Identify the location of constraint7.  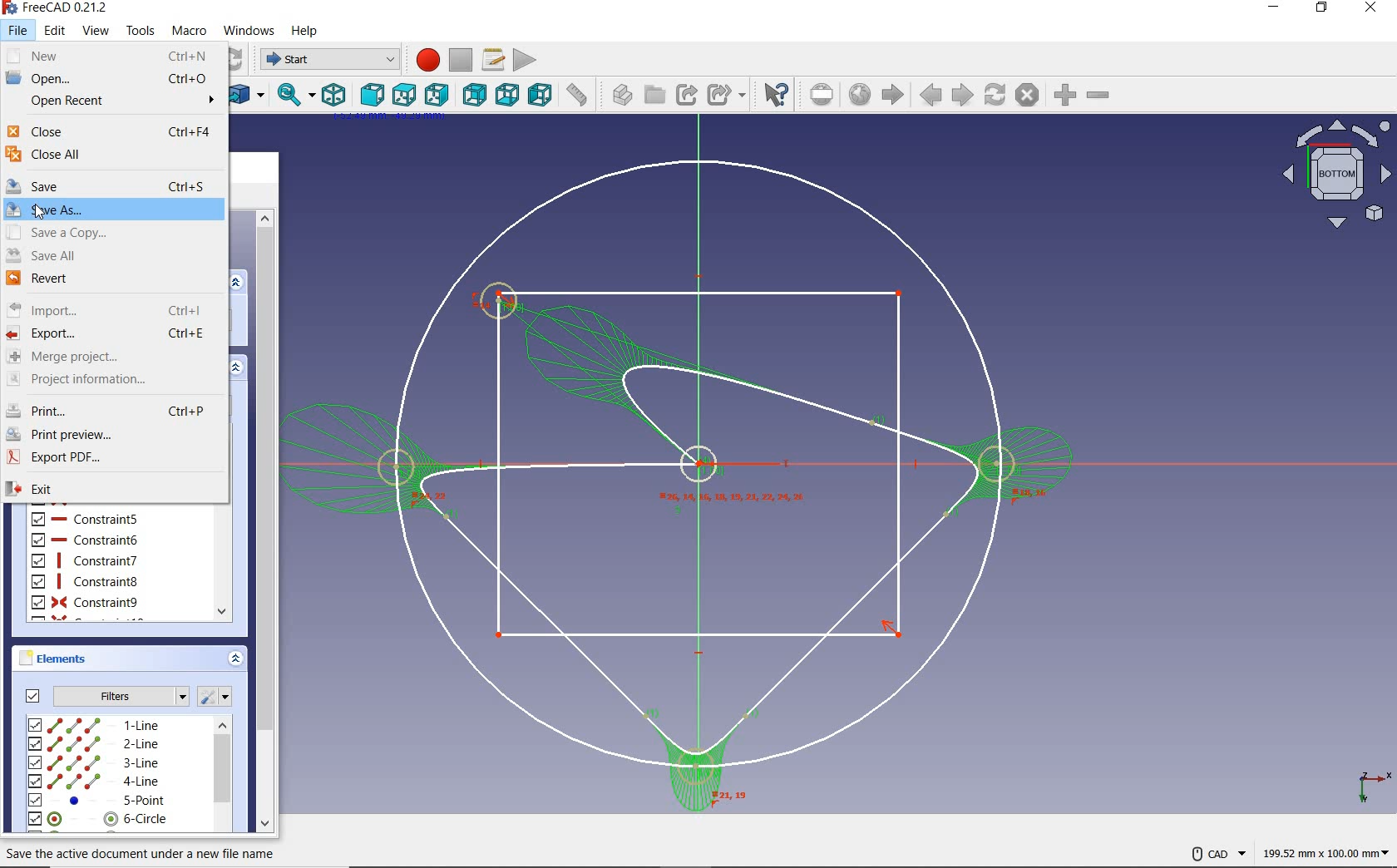
(84, 560).